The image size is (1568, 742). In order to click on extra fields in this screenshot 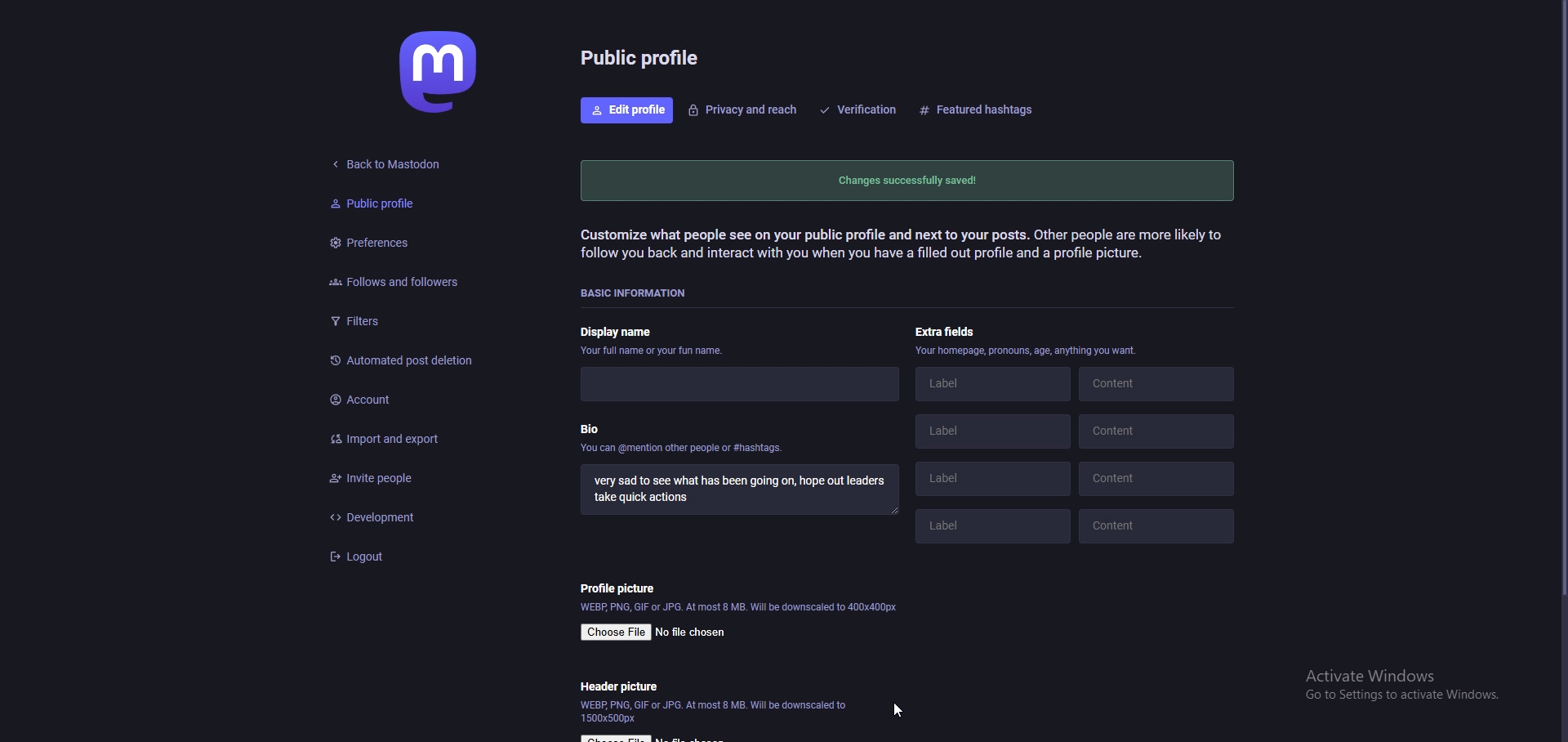, I will do `click(996, 527)`.